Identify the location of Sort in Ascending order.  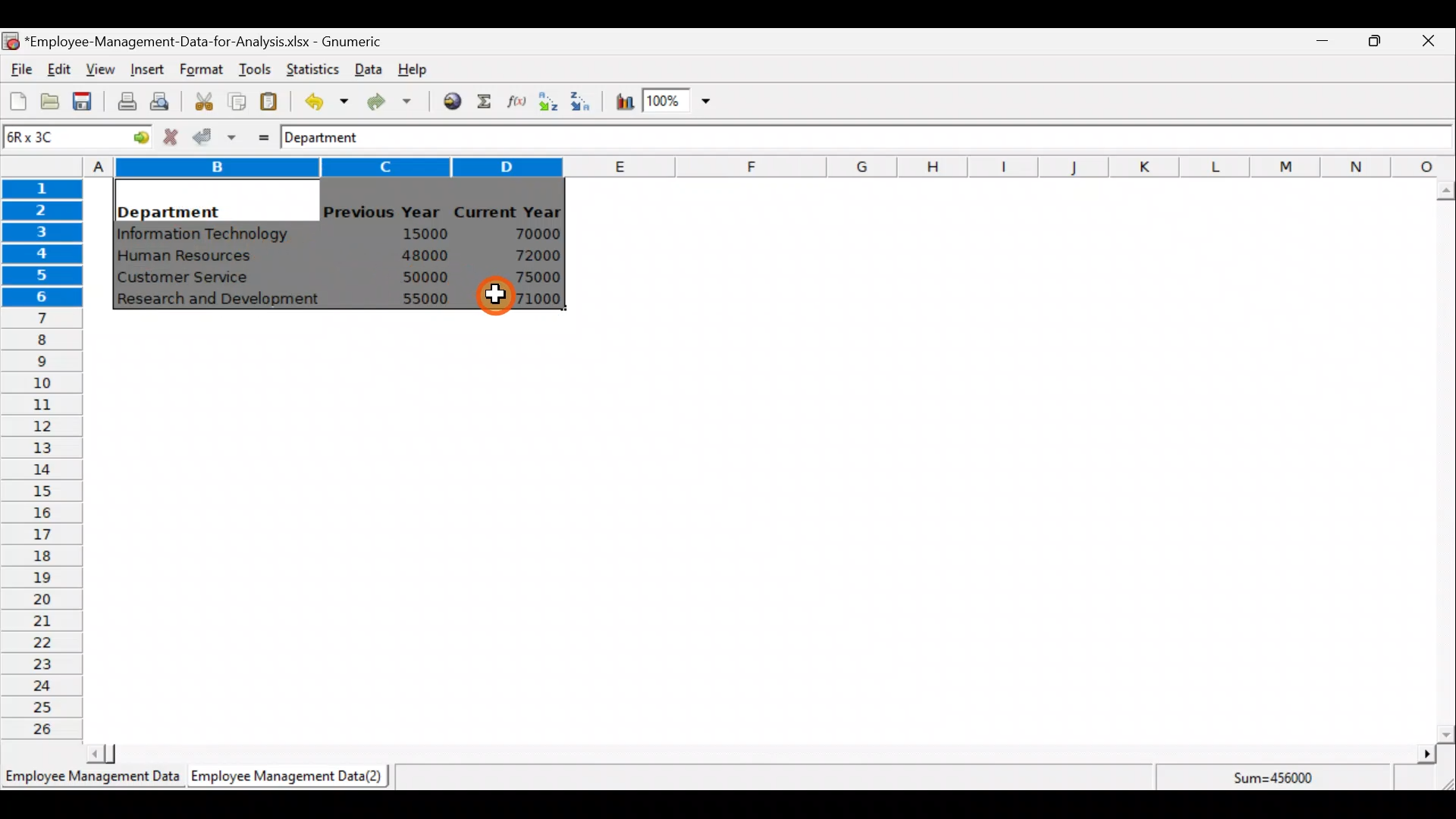
(548, 101).